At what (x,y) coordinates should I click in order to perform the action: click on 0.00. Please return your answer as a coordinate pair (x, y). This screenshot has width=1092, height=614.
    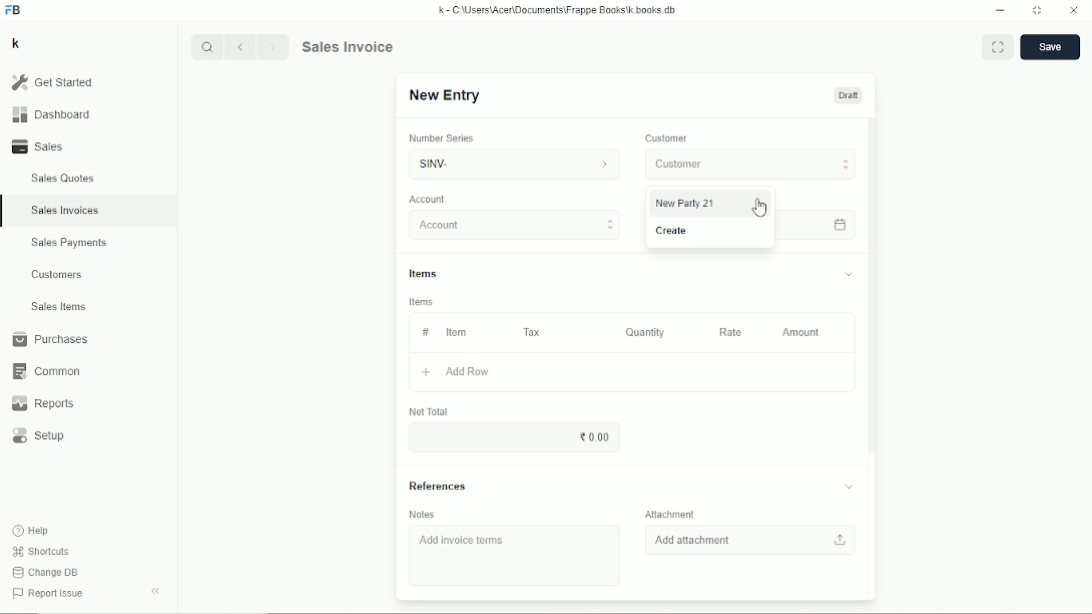
    Looking at the image, I should click on (596, 436).